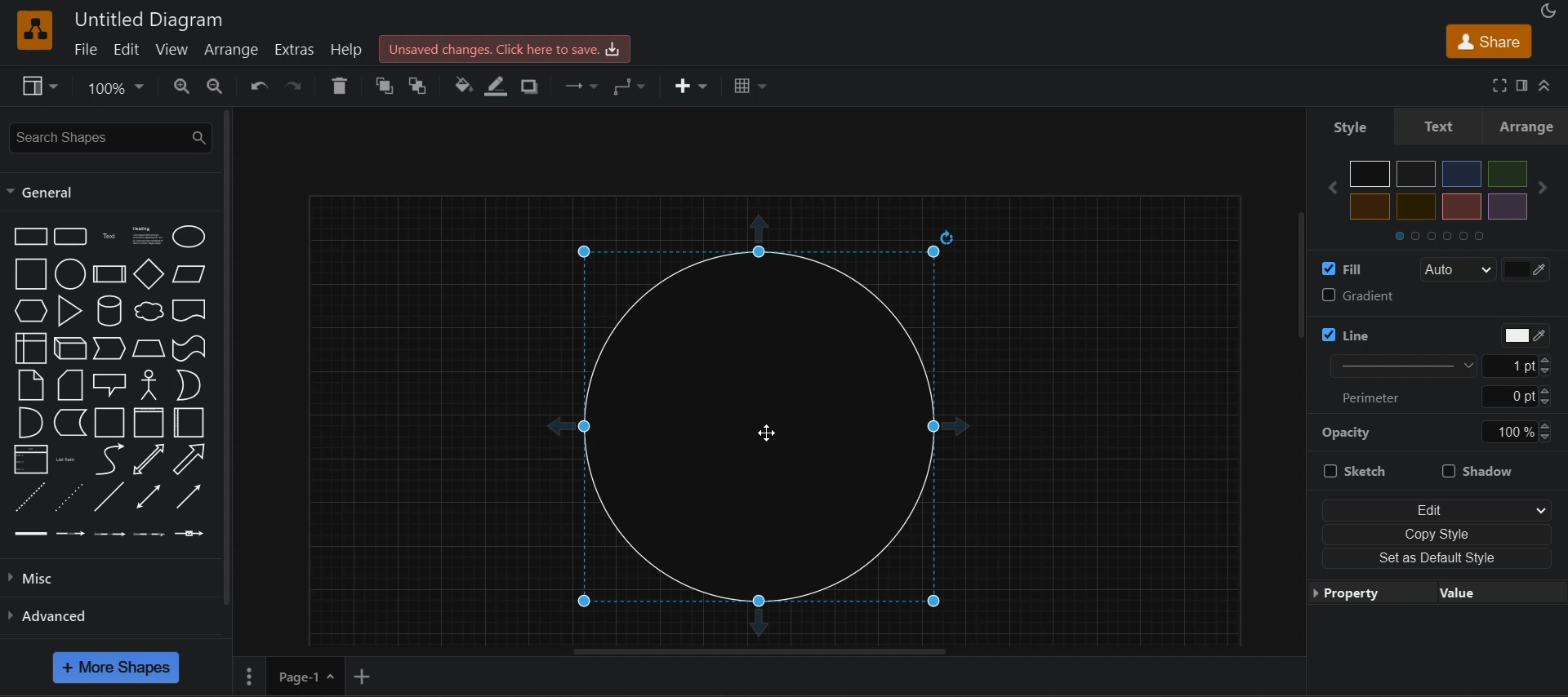  What do you see at coordinates (146, 238) in the screenshot?
I see `heading` at bounding box center [146, 238].